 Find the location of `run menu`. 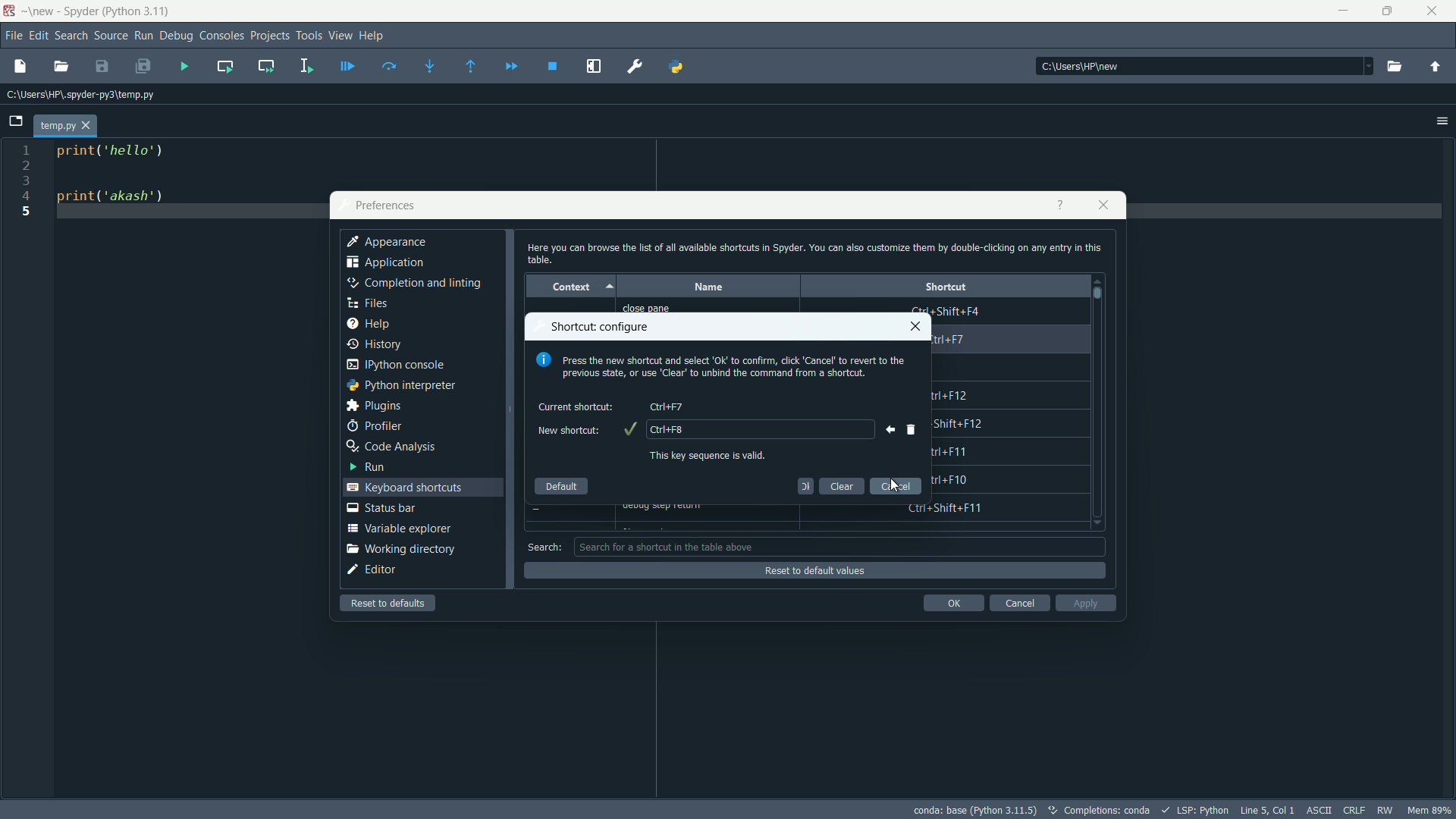

run menu is located at coordinates (143, 36).